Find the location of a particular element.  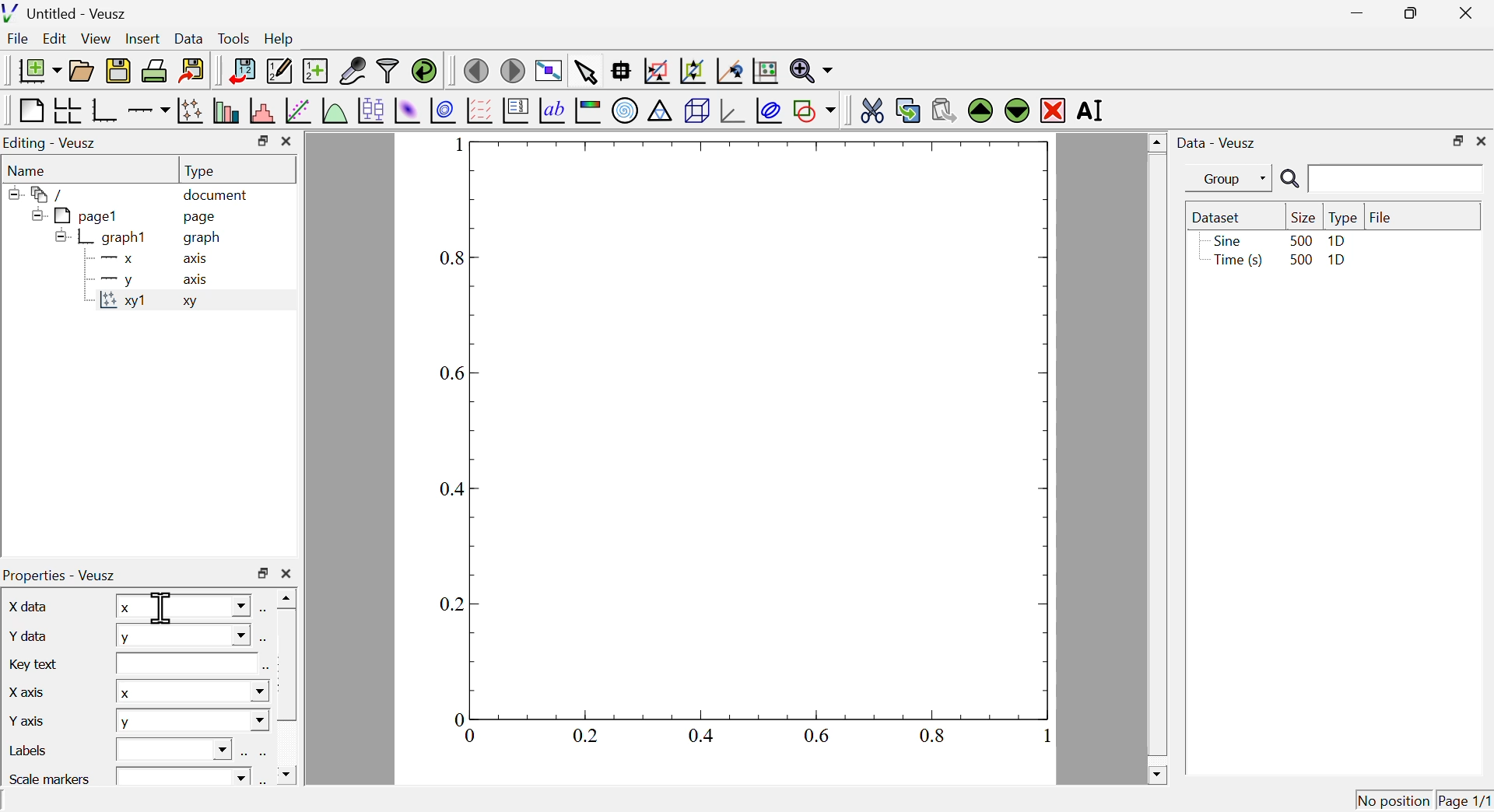

name is located at coordinates (30, 170).